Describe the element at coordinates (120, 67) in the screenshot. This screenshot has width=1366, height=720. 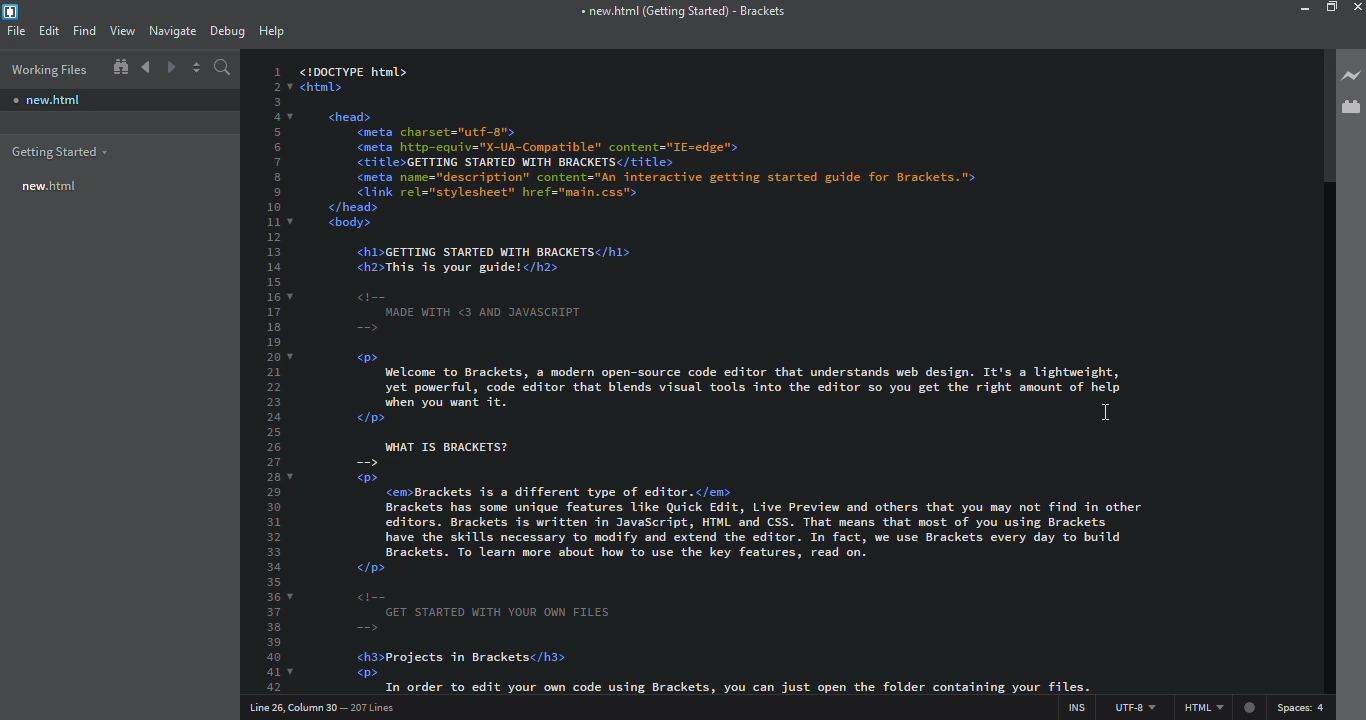
I see `show in file tree` at that location.